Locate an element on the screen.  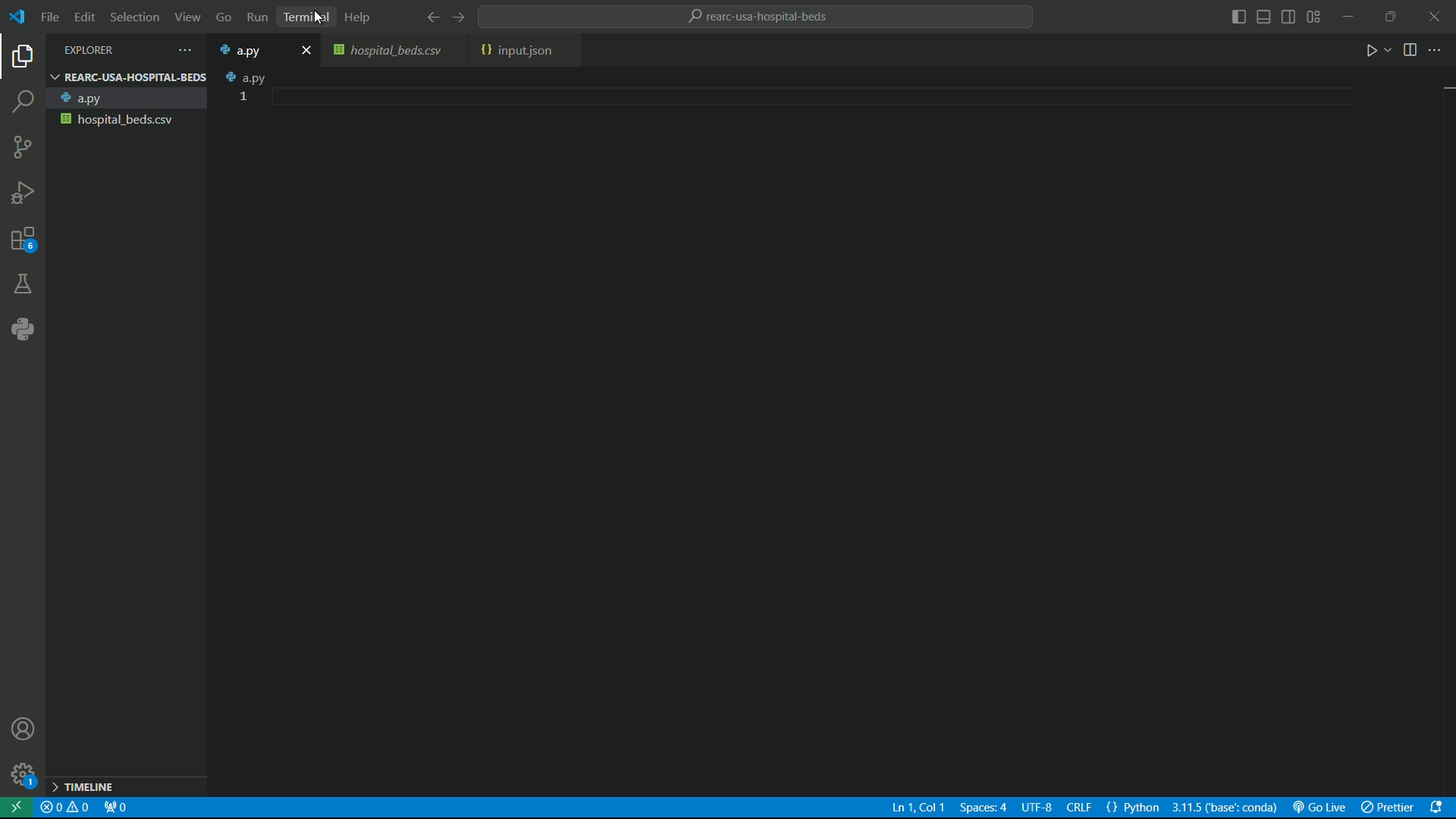
close file is located at coordinates (306, 50).